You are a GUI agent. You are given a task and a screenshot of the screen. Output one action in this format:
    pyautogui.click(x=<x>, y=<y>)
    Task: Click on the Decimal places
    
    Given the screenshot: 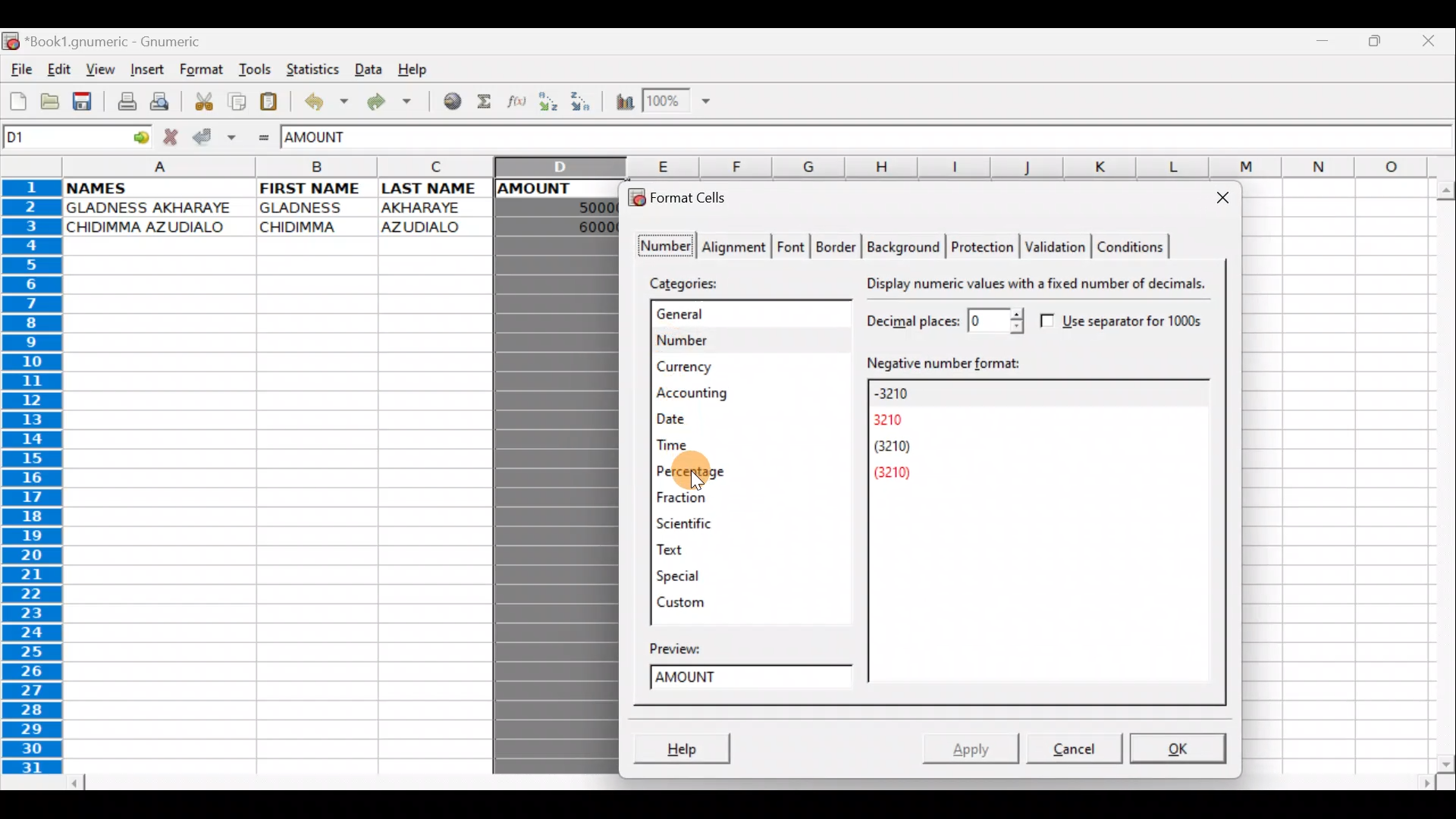 What is the action you would take?
    pyautogui.click(x=942, y=319)
    